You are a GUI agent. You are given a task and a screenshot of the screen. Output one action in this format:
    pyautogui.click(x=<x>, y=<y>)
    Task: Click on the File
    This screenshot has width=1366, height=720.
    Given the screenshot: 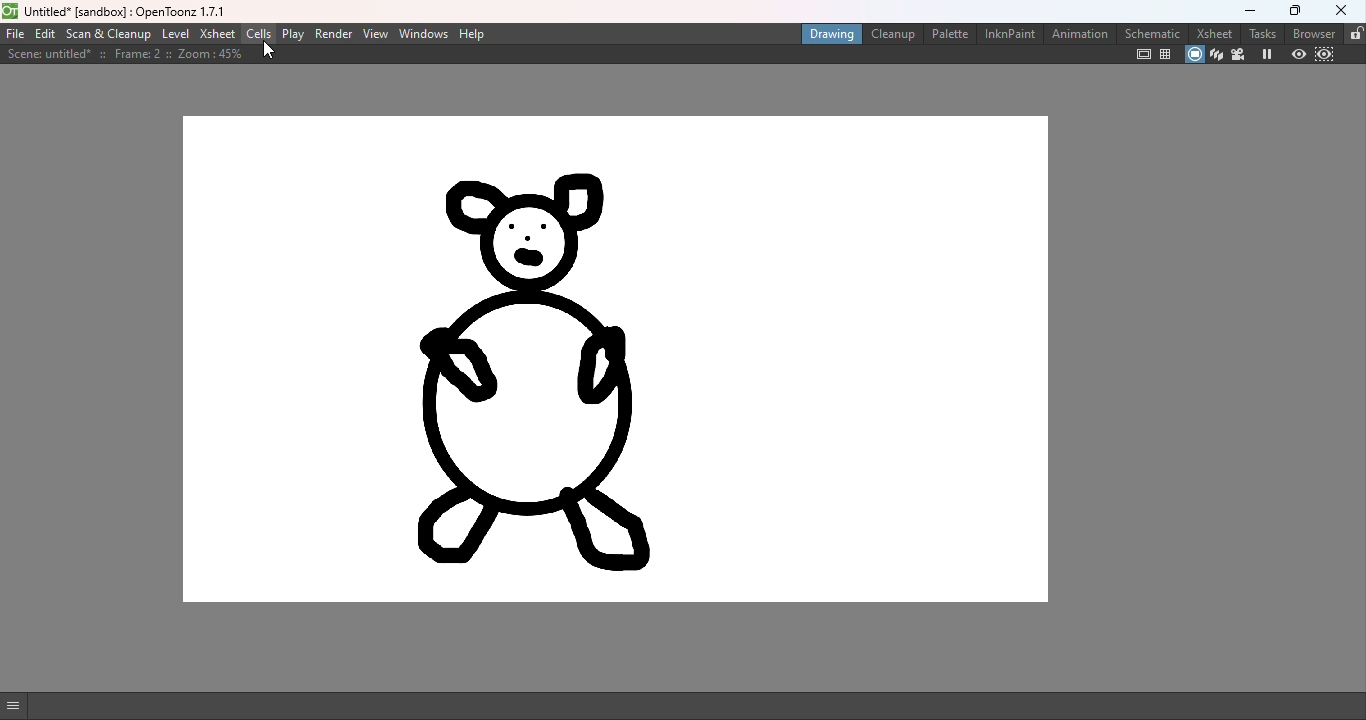 What is the action you would take?
    pyautogui.click(x=13, y=34)
    